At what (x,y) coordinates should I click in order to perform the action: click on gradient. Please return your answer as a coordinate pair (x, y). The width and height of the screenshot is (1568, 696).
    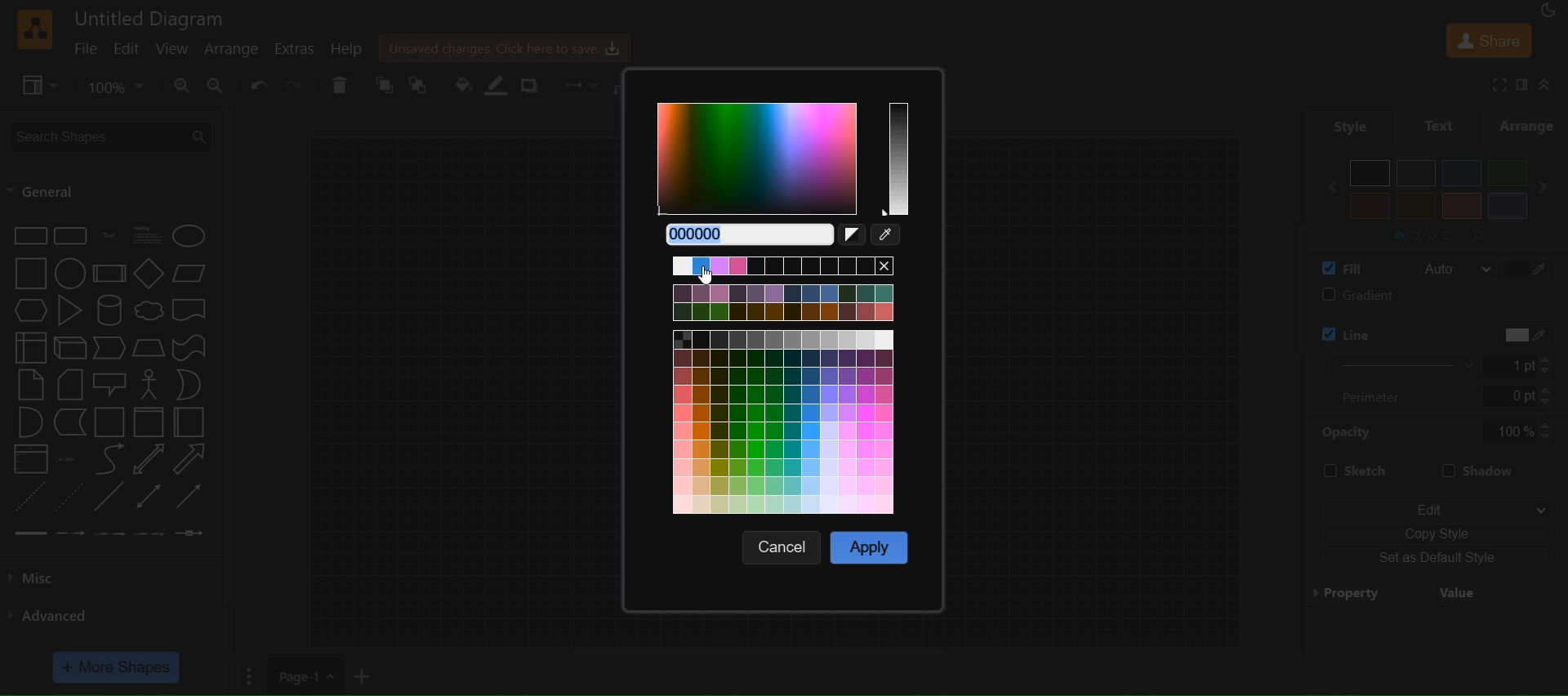
    Looking at the image, I should click on (1435, 297).